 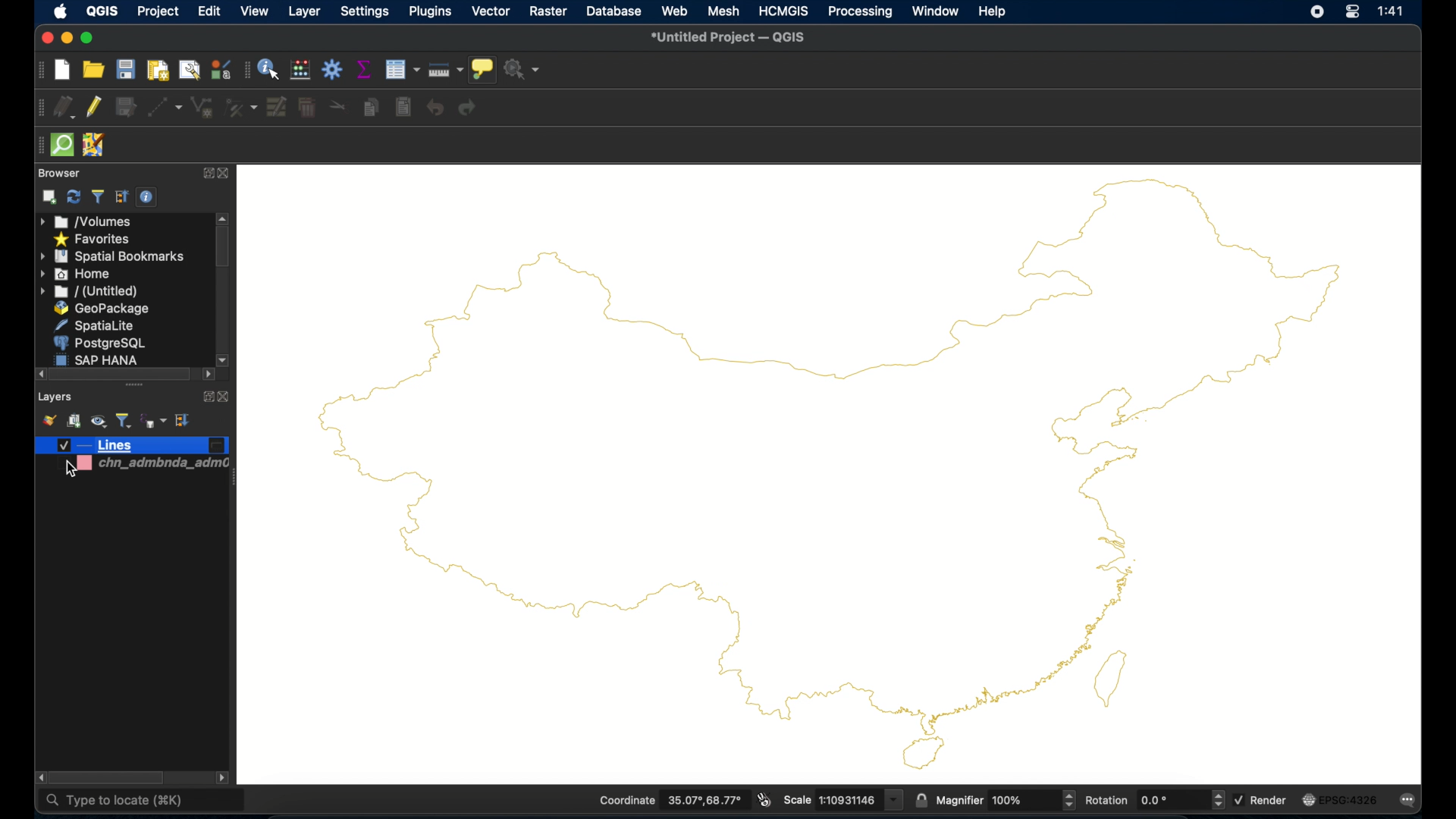 I want to click on drag handle, so click(x=36, y=144).